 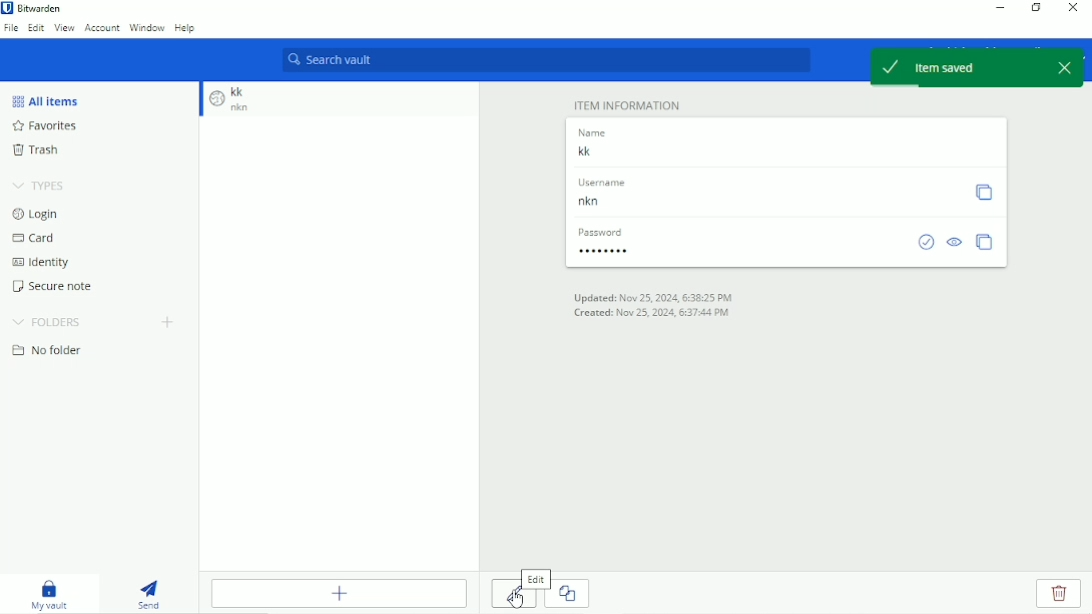 I want to click on Minimize, so click(x=1000, y=9).